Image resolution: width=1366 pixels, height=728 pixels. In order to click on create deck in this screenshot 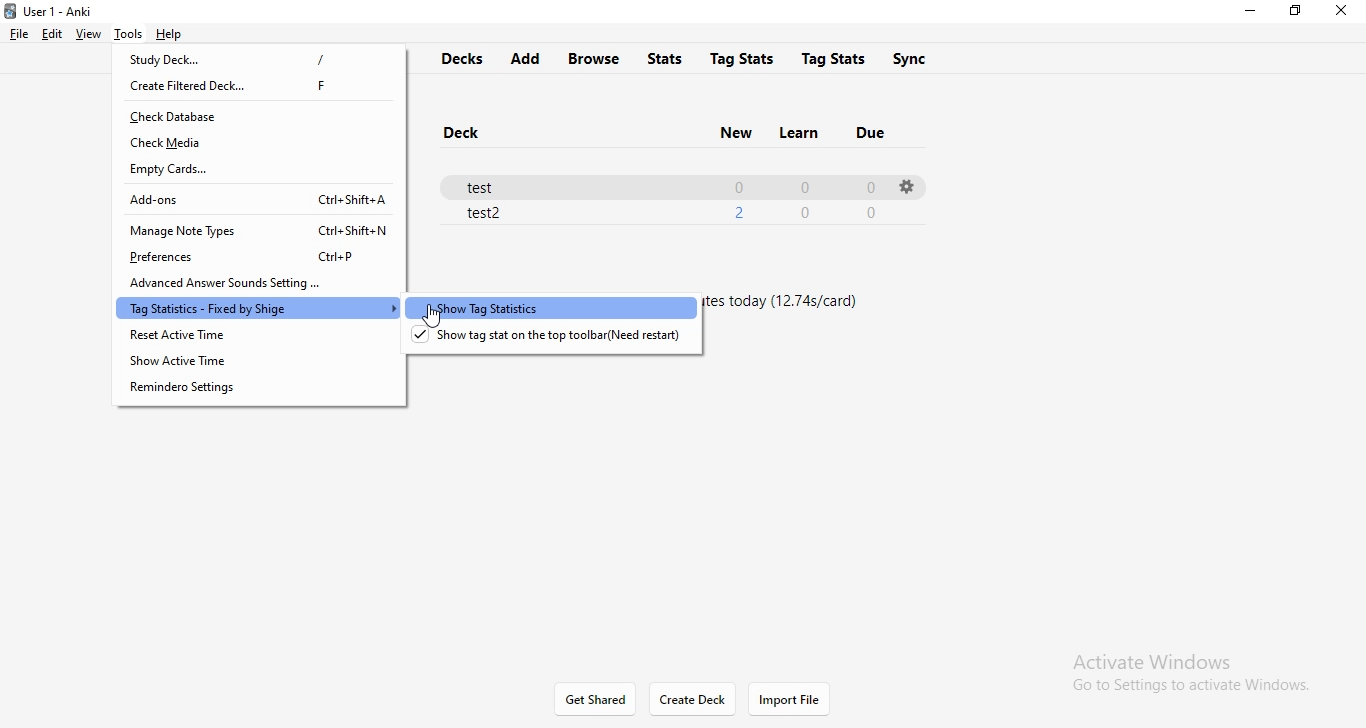, I will do `click(691, 702)`.